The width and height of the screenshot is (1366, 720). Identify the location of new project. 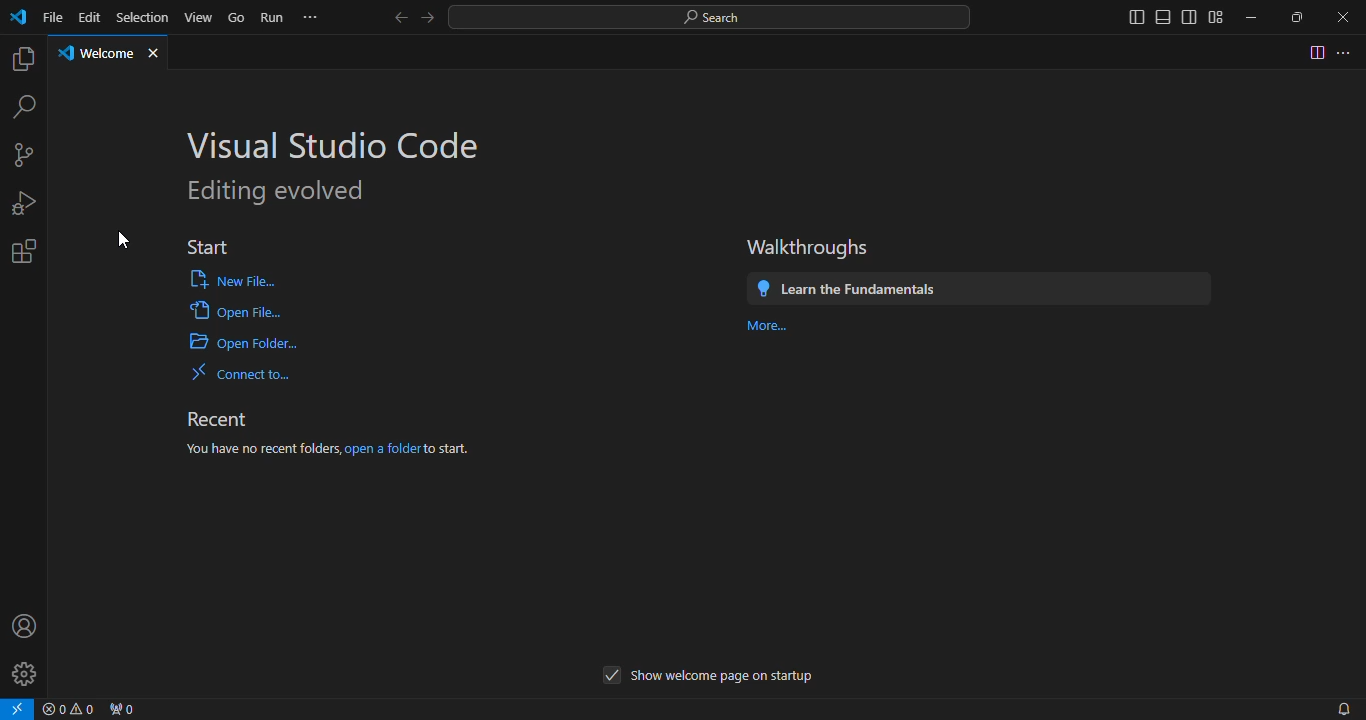
(26, 157).